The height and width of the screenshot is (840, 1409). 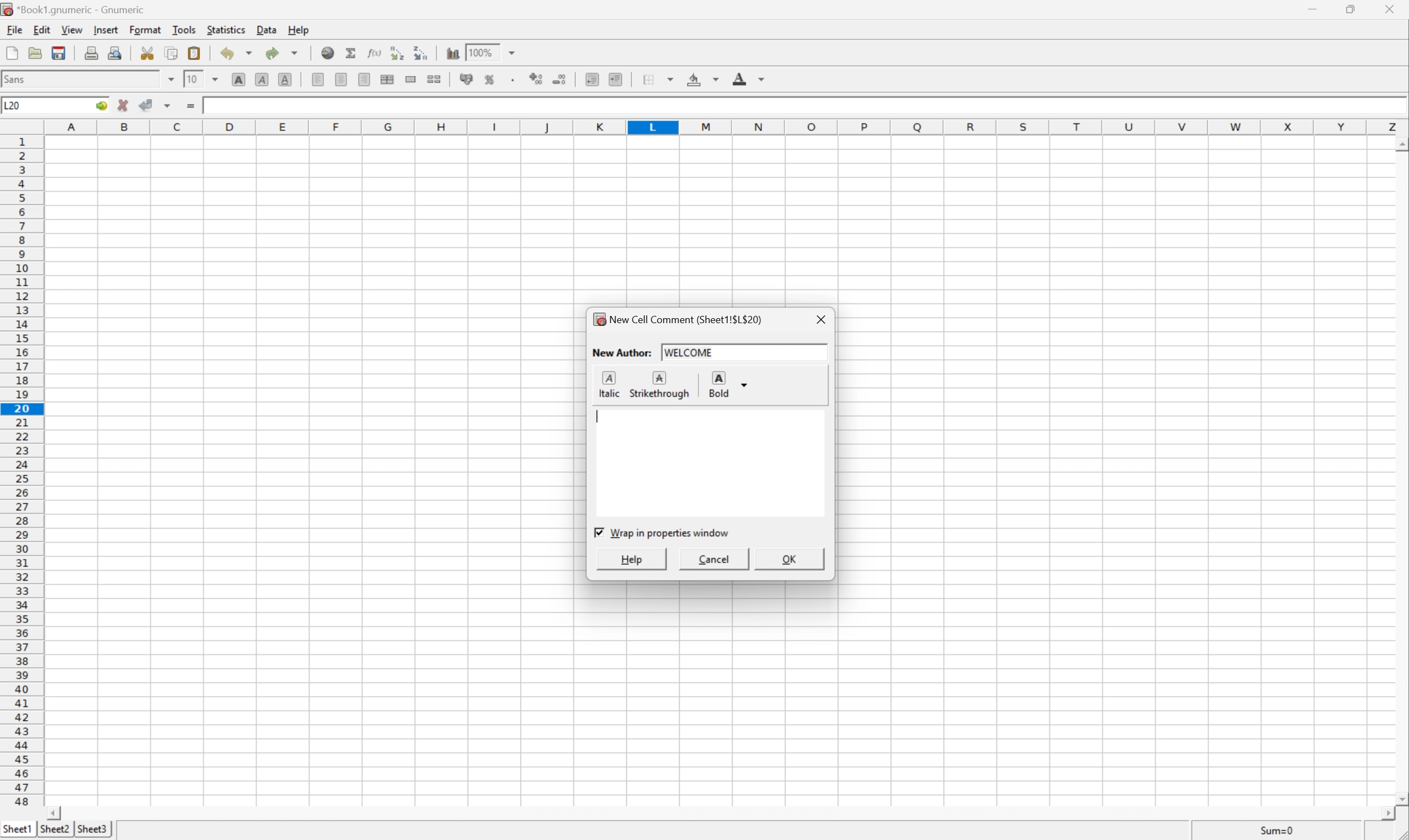 I want to click on Redo, so click(x=284, y=53).